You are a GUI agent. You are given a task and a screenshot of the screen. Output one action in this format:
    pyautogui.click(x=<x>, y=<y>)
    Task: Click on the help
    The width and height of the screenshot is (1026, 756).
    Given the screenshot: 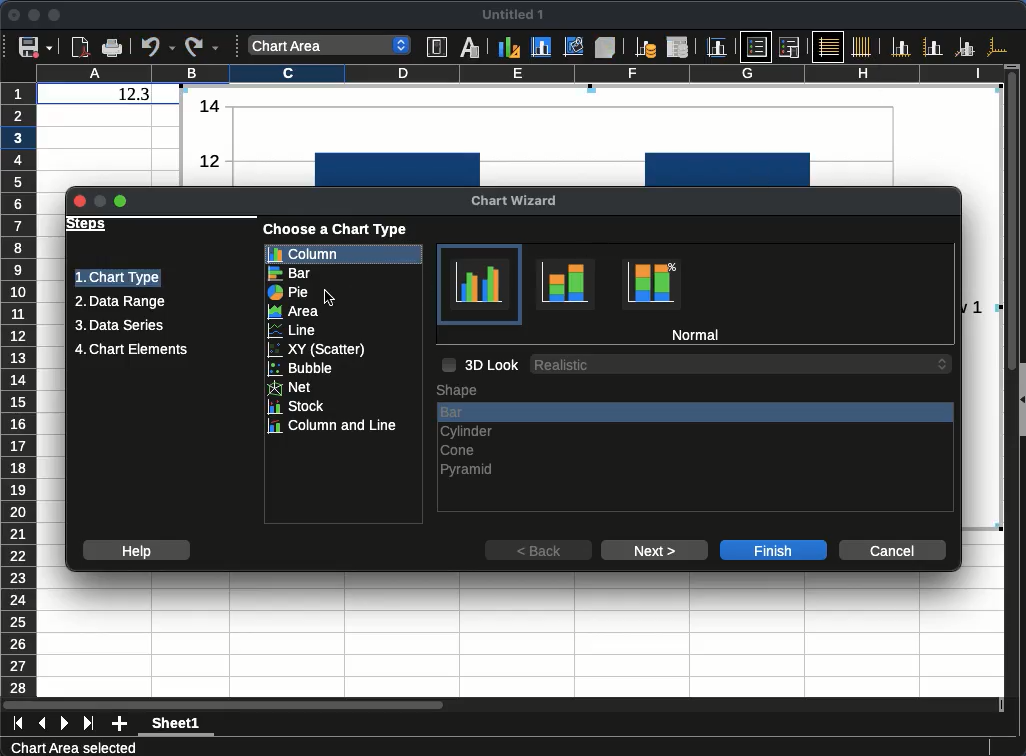 What is the action you would take?
    pyautogui.click(x=136, y=550)
    